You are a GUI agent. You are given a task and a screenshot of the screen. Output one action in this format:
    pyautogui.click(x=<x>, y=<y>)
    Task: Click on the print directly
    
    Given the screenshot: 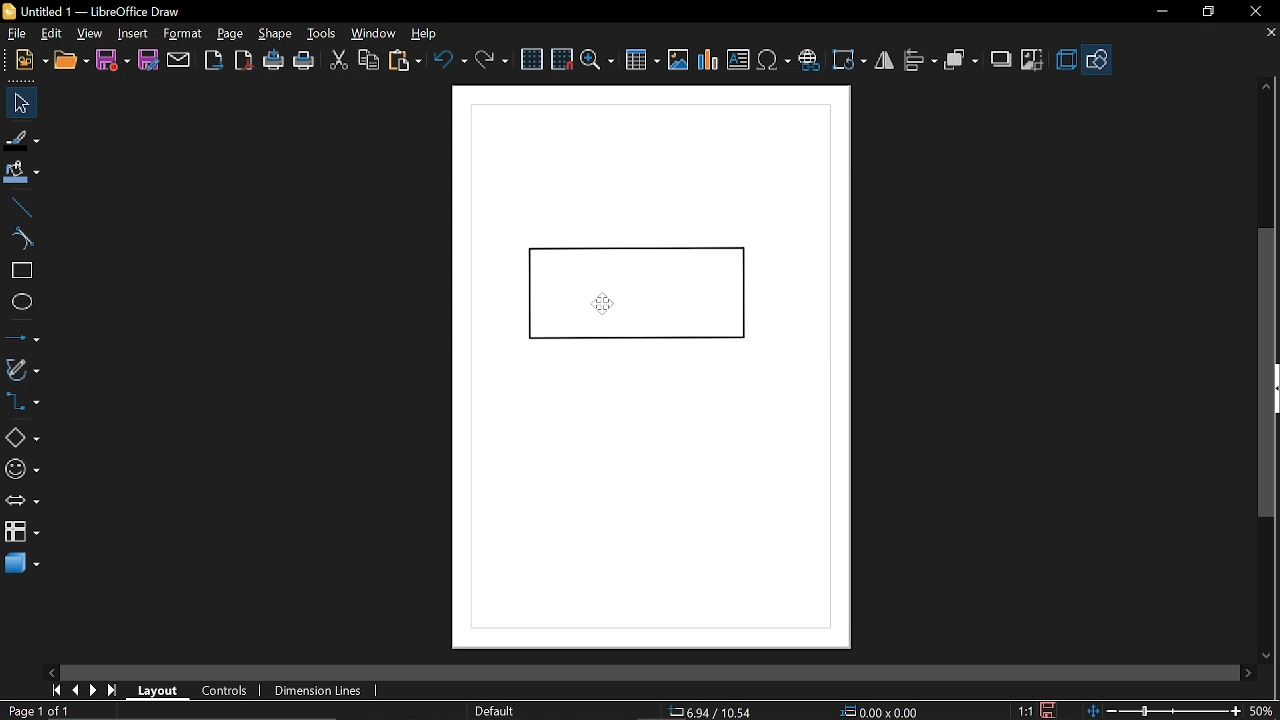 What is the action you would take?
    pyautogui.click(x=272, y=59)
    